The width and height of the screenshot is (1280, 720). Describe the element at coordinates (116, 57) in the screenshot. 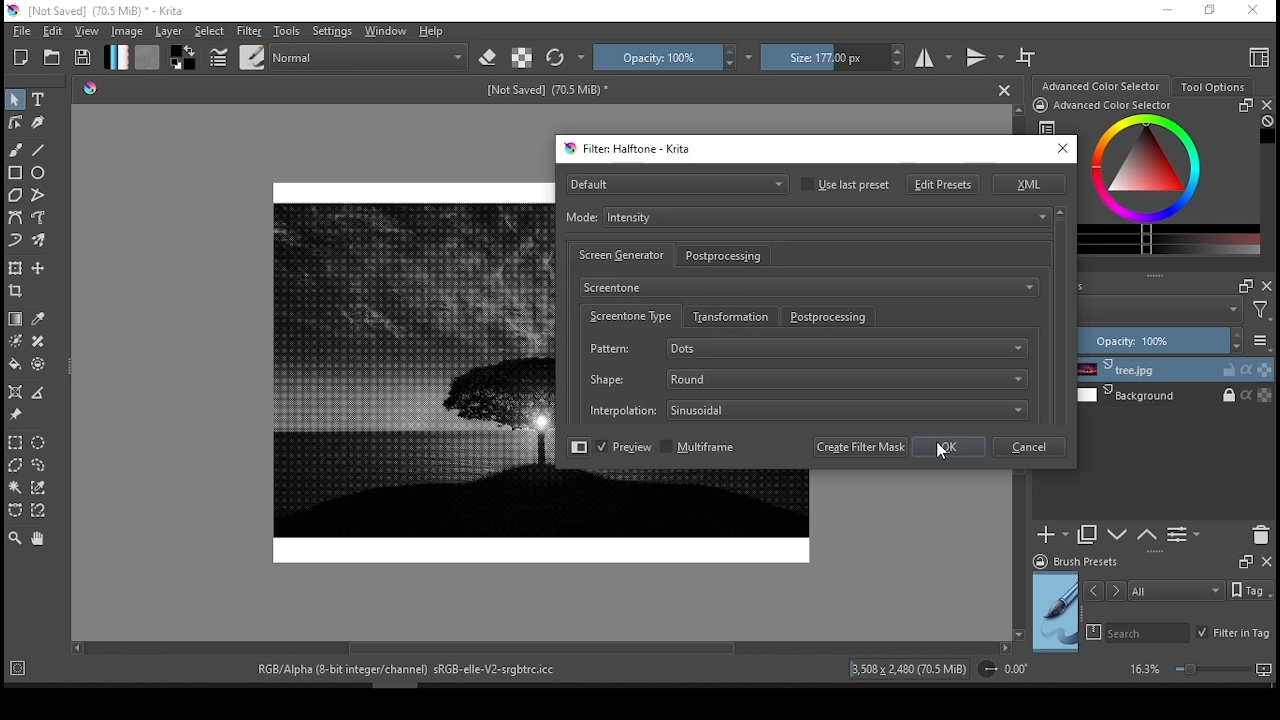

I see `fill gradient tool` at that location.